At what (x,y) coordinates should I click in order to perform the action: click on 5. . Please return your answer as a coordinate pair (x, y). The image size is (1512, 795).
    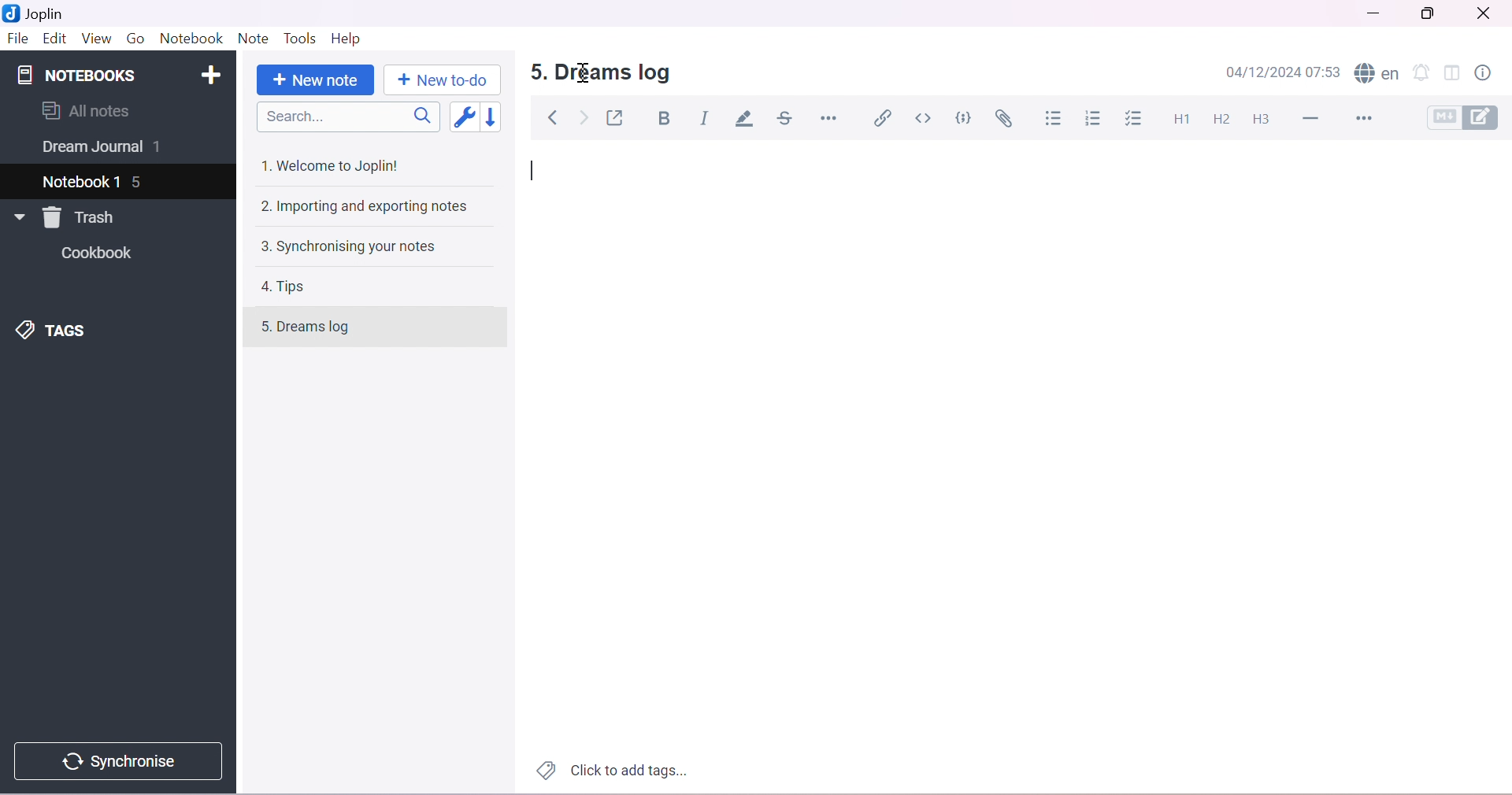
    Looking at the image, I should click on (258, 331).